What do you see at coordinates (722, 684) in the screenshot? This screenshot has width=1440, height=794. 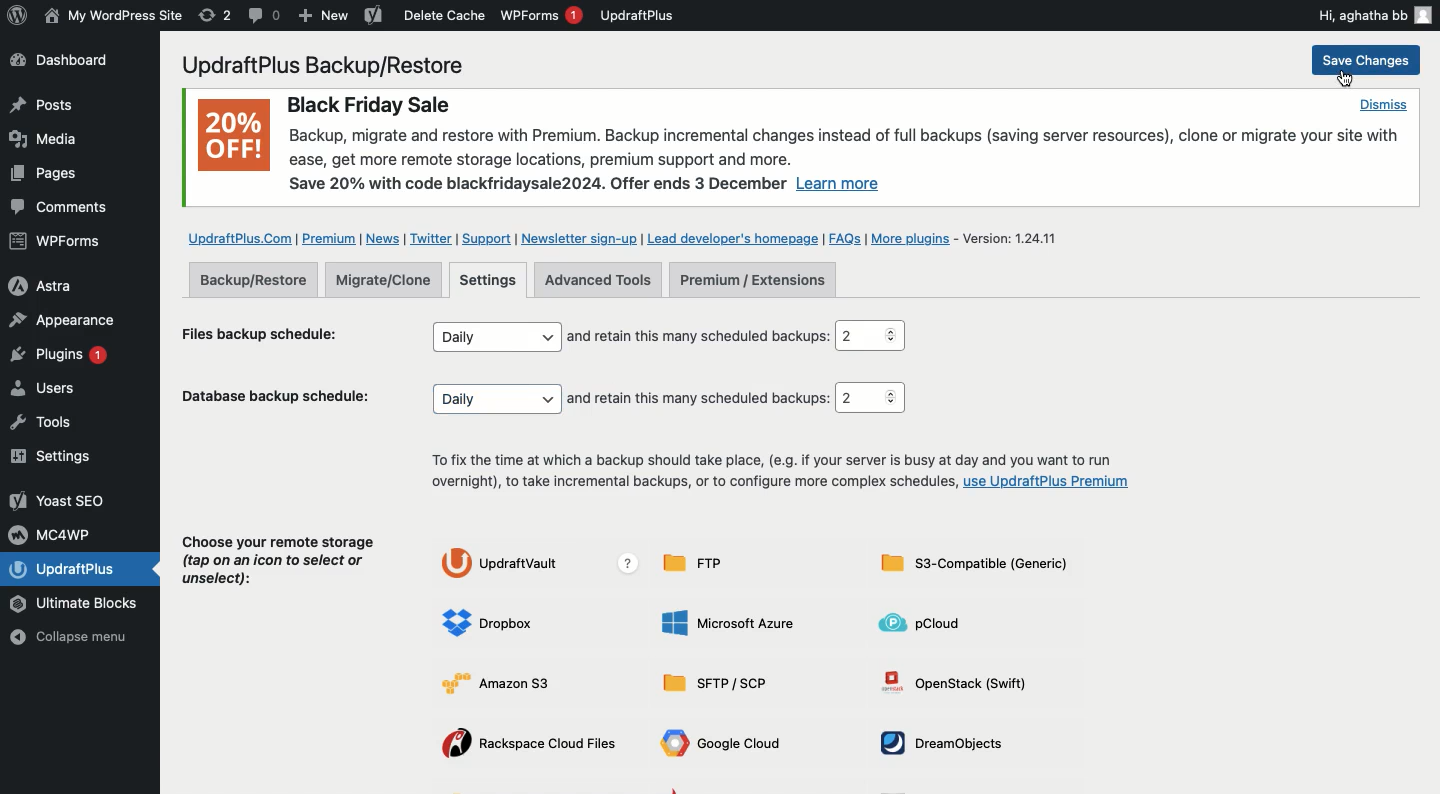 I see `Sftp SCP` at bounding box center [722, 684].